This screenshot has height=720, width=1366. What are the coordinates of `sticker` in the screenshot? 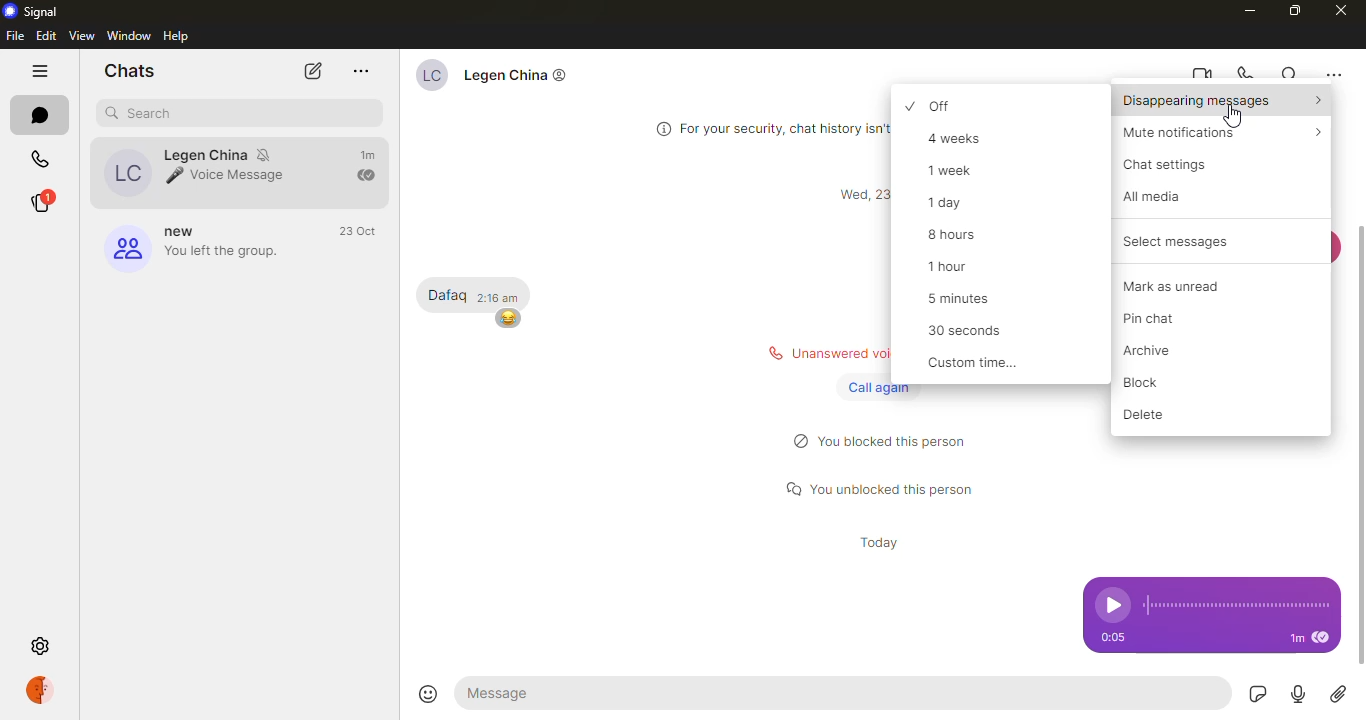 It's located at (1259, 694).